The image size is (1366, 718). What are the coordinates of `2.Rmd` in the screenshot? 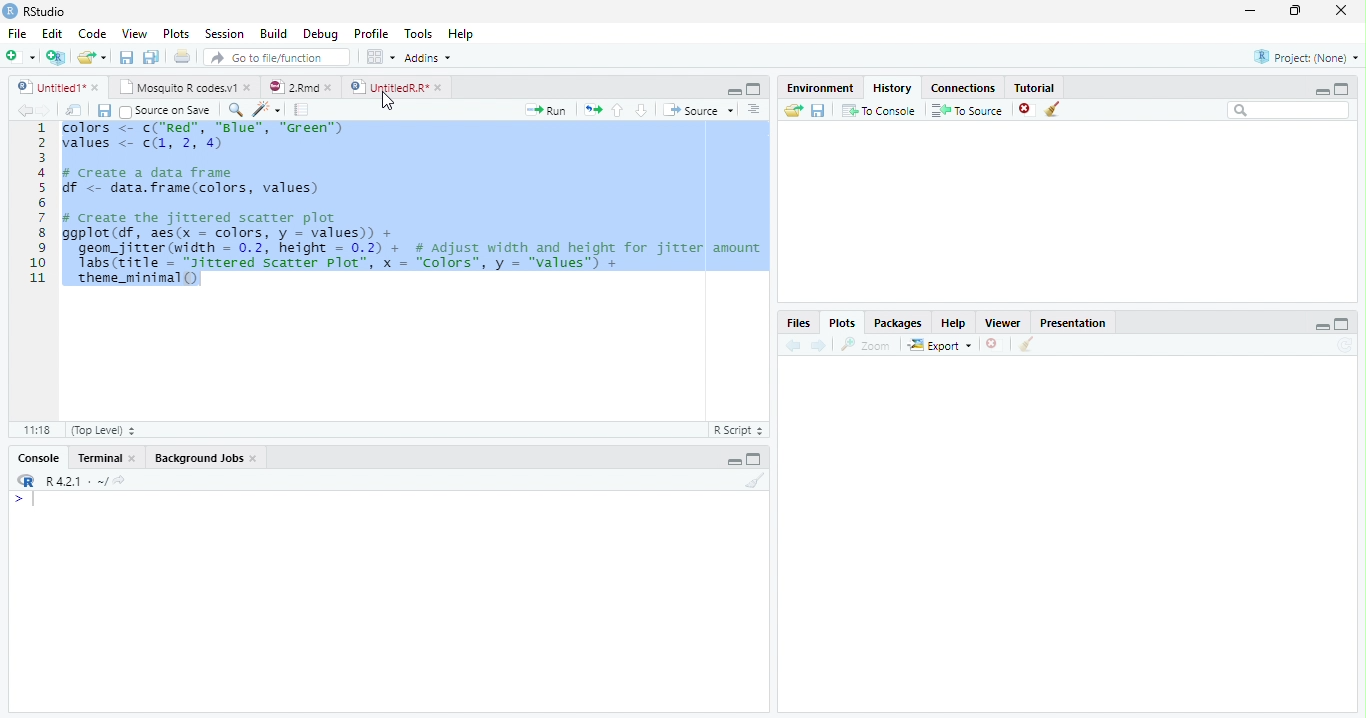 It's located at (291, 87).